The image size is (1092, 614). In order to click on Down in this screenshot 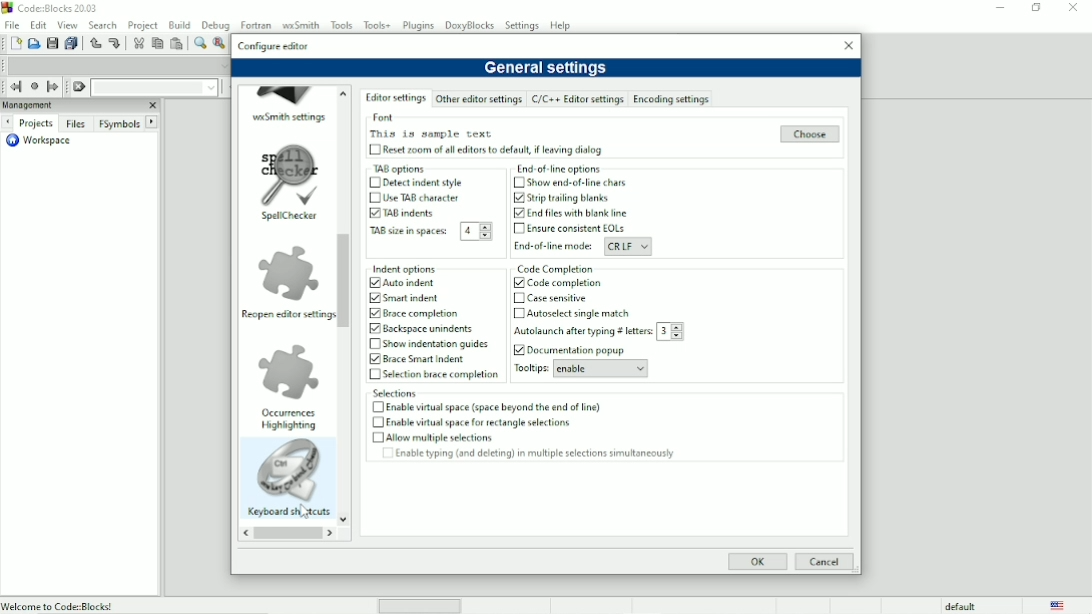, I will do `click(344, 521)`.